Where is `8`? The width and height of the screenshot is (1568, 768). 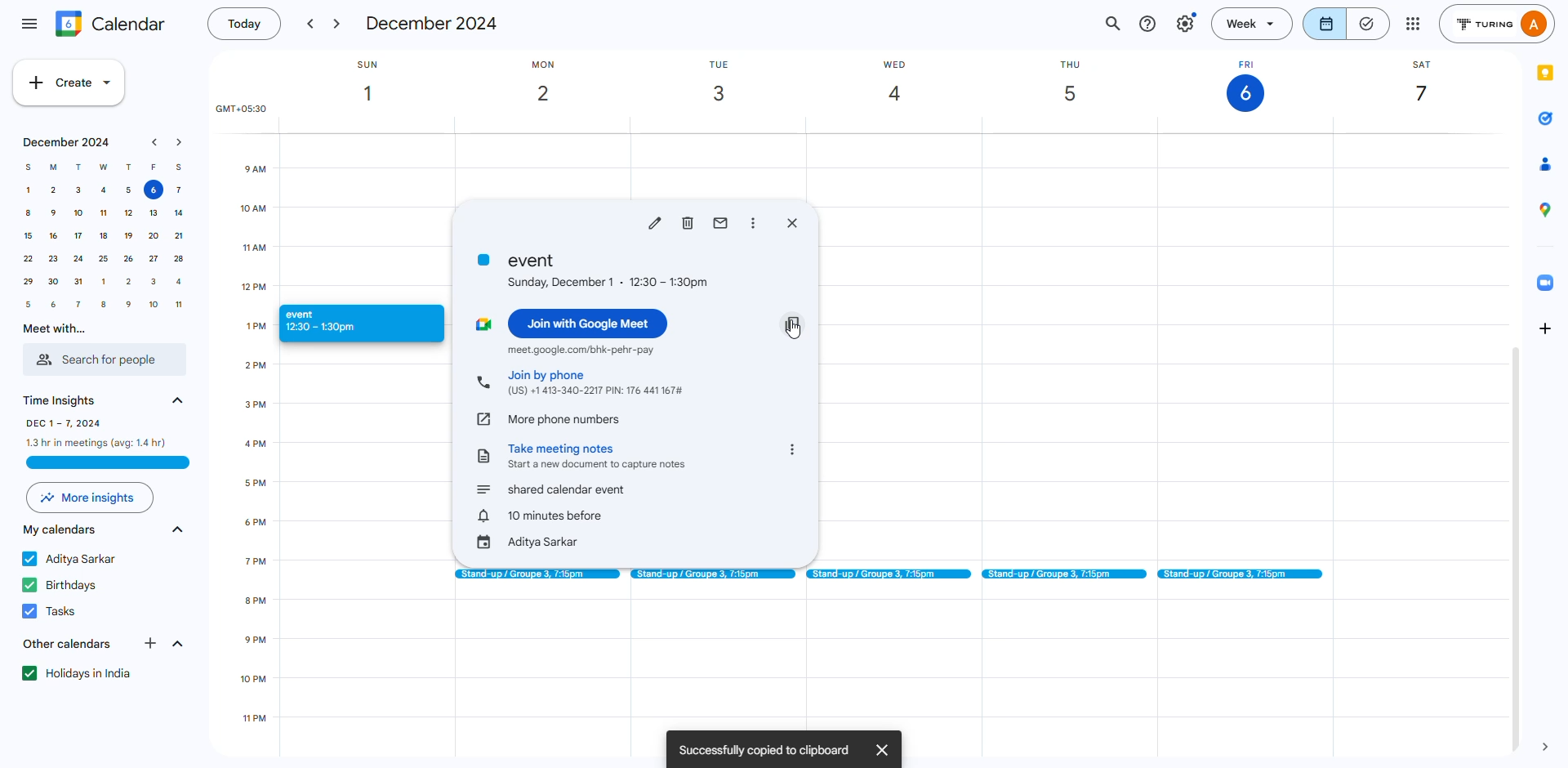
8 is located at coordinates (103, 304).